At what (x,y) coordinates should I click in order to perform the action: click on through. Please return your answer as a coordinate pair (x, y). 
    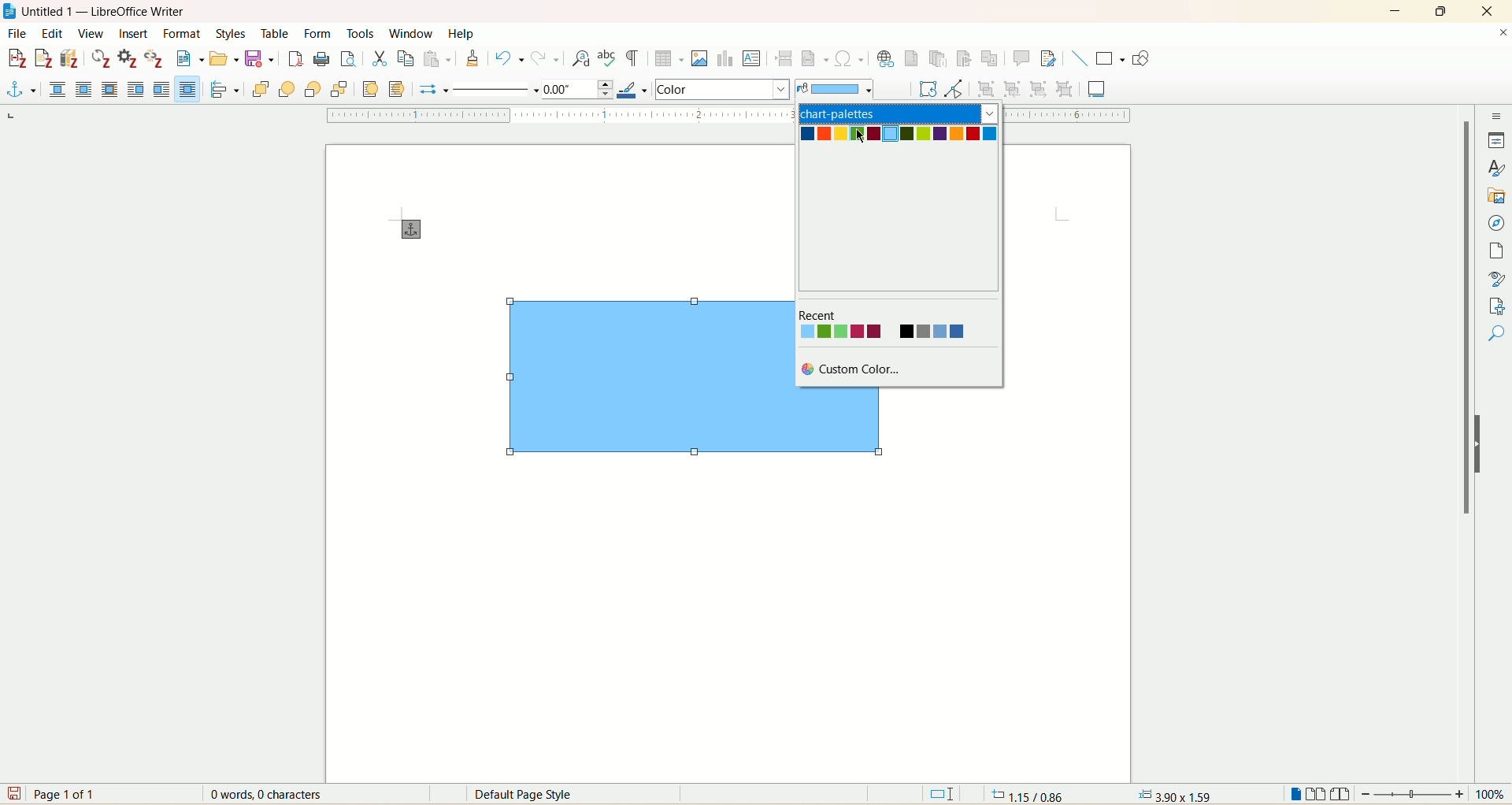
    Looking at the image, I should click on (187, 89).